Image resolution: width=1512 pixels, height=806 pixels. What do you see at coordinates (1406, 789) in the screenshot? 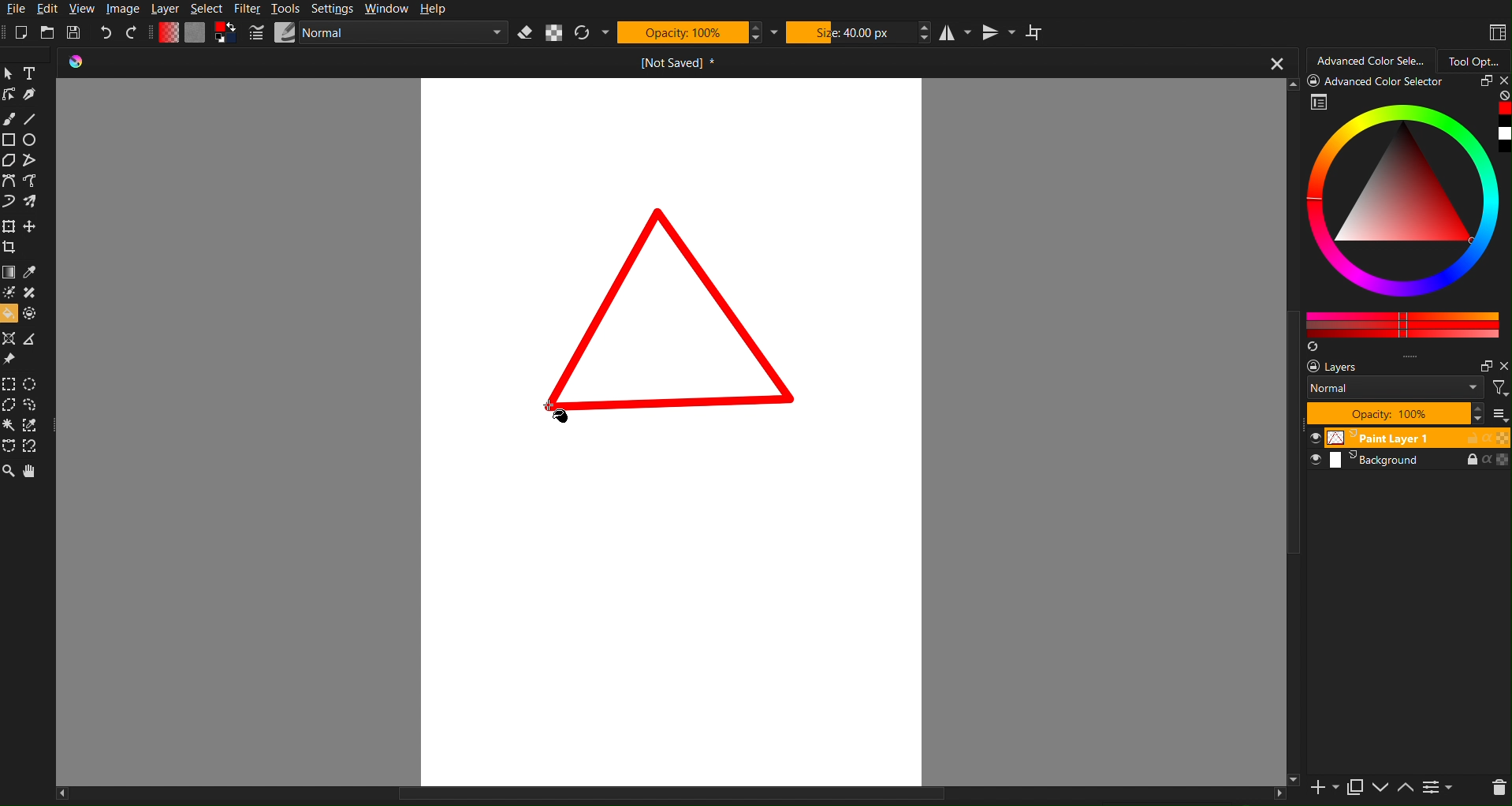
I see `move layer up` at bounding box center [1406, 789].